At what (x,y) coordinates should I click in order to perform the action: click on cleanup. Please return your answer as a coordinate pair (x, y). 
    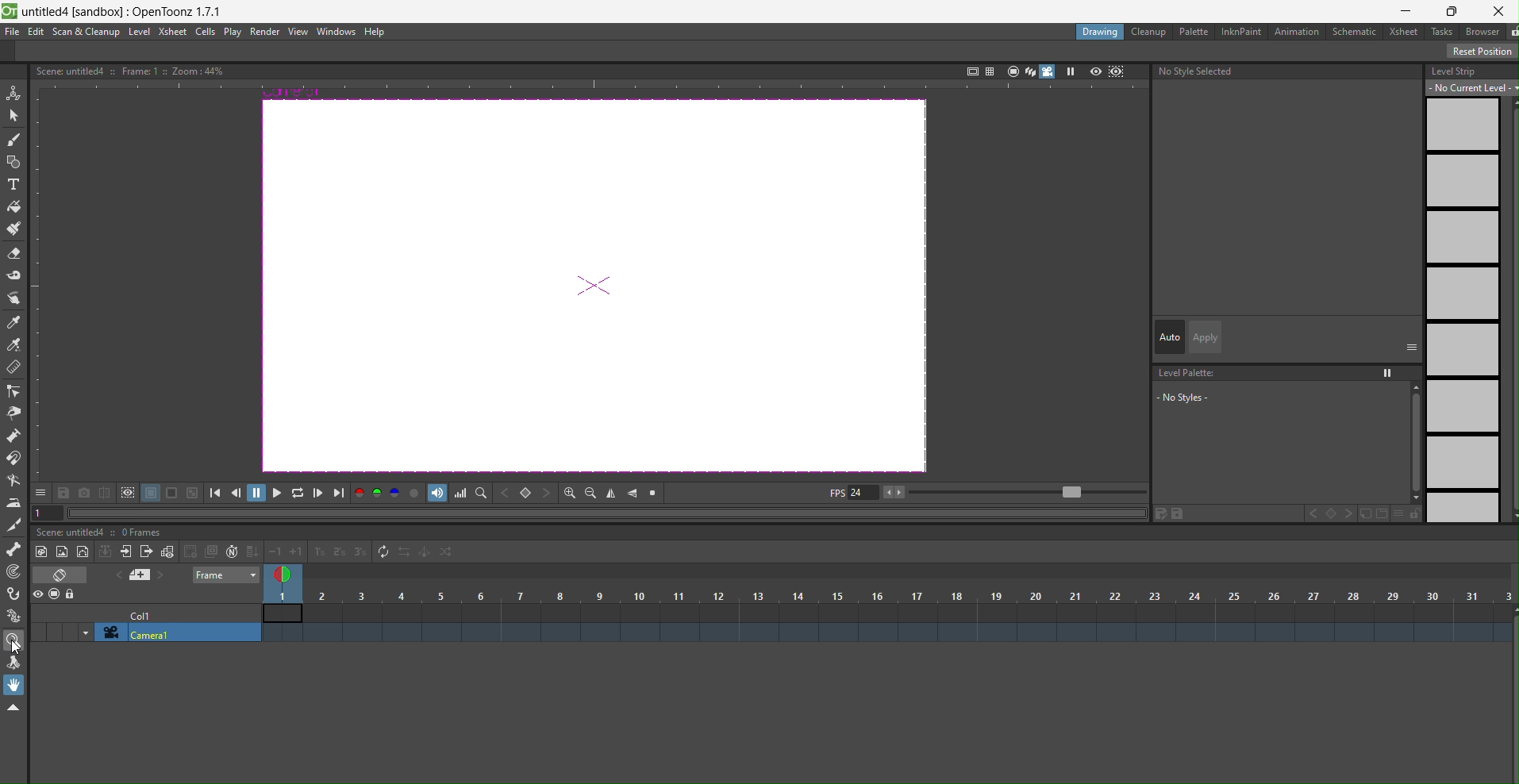
    Looking at the image, I should click on (1150, 31).